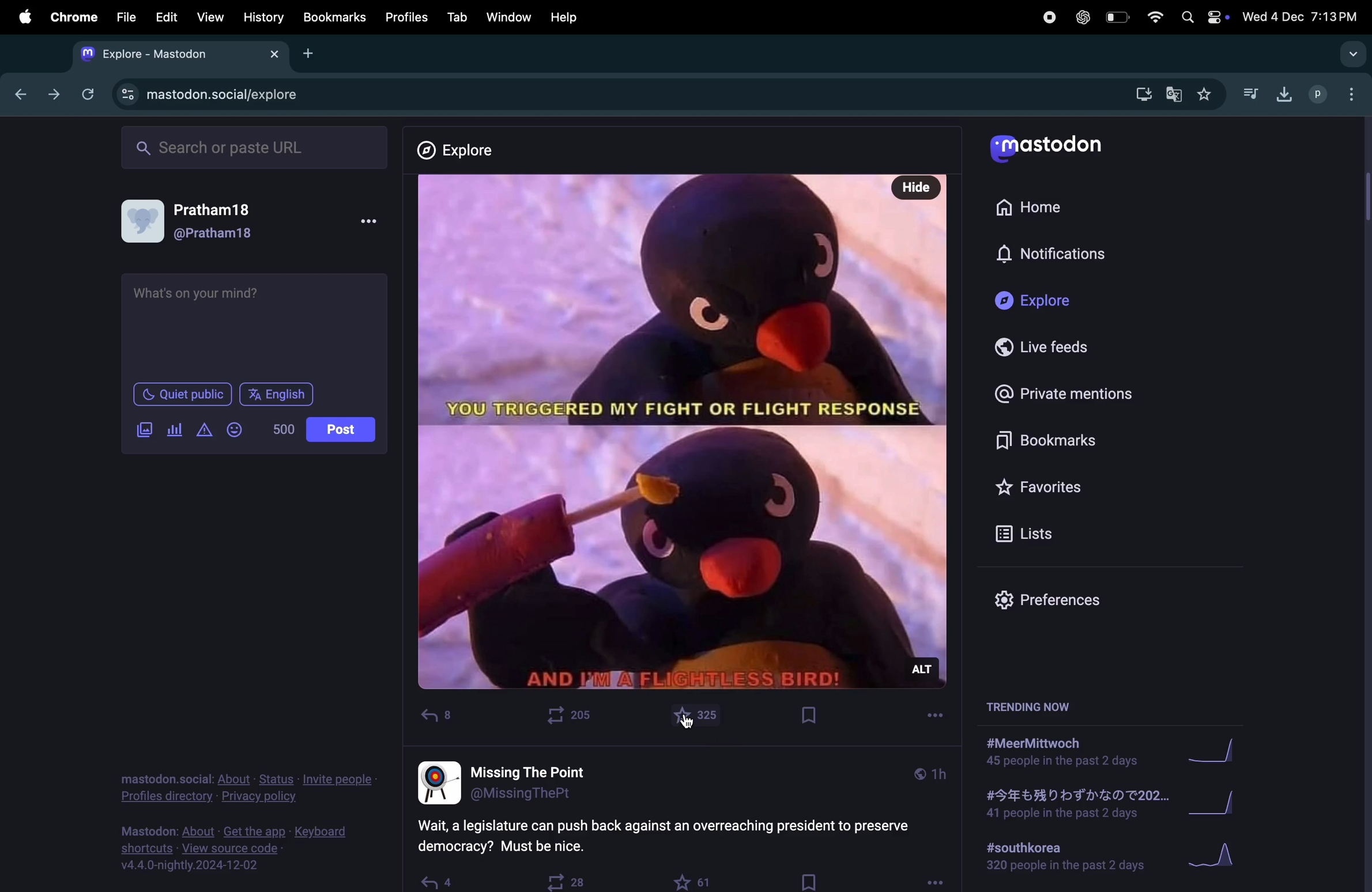 Image resolution: width=1372 pixels, height=892 pixels. What do you see at coordinates (1032, 534) in the screenshot?
I see `lists` at bounding box center [1032, 534].